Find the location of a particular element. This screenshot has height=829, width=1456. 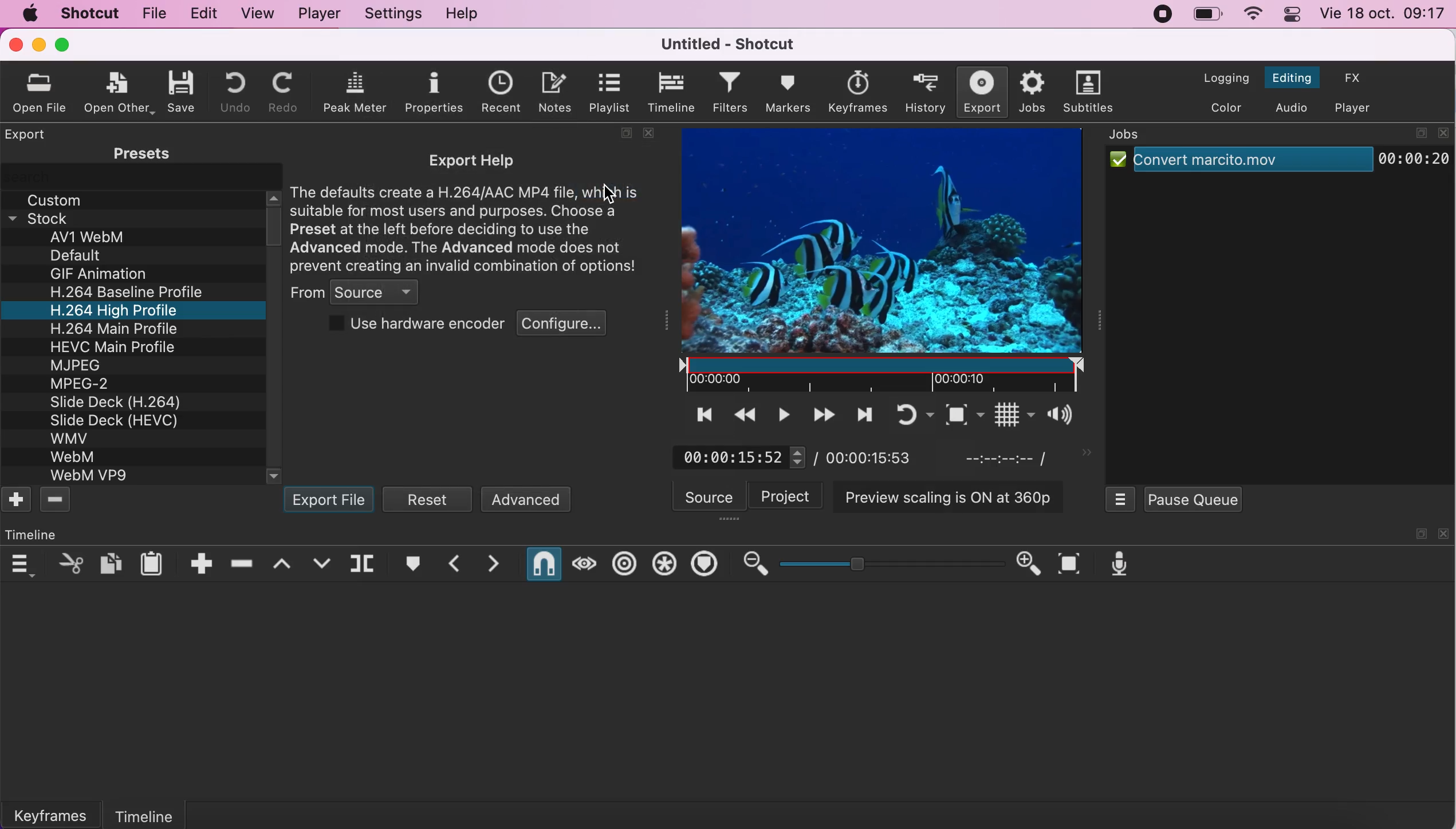

file is located at coordinates (152, 14).